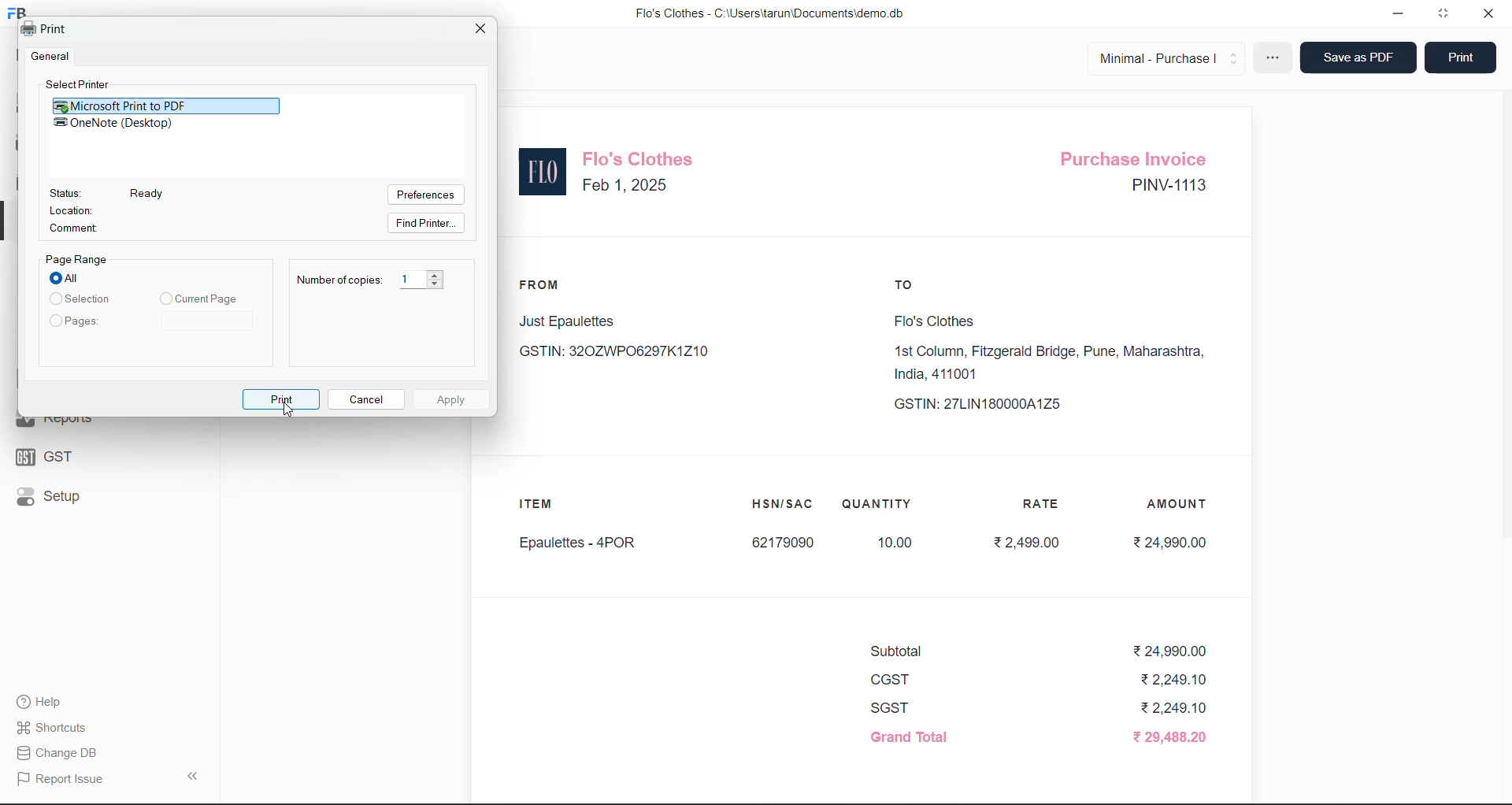  I want to click on close, so click(485, 31).